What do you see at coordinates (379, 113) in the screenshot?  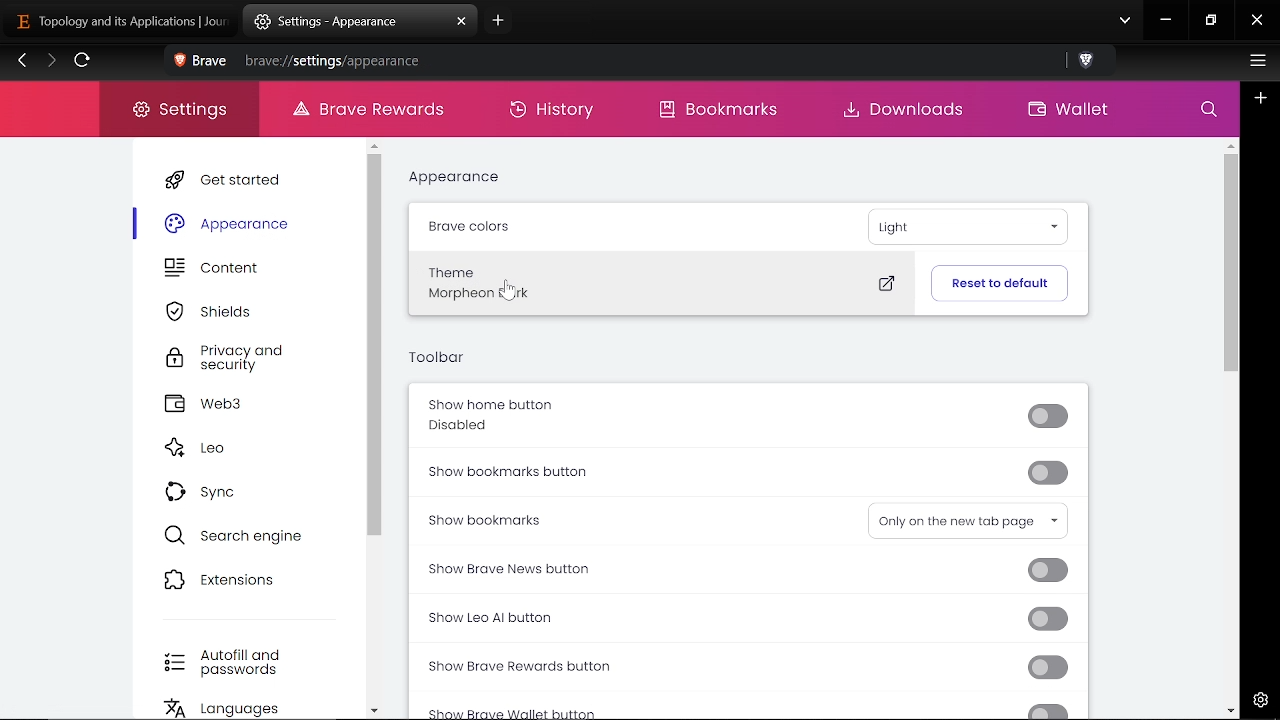 I see `Brave rewards` at bounding box center [379, 113].